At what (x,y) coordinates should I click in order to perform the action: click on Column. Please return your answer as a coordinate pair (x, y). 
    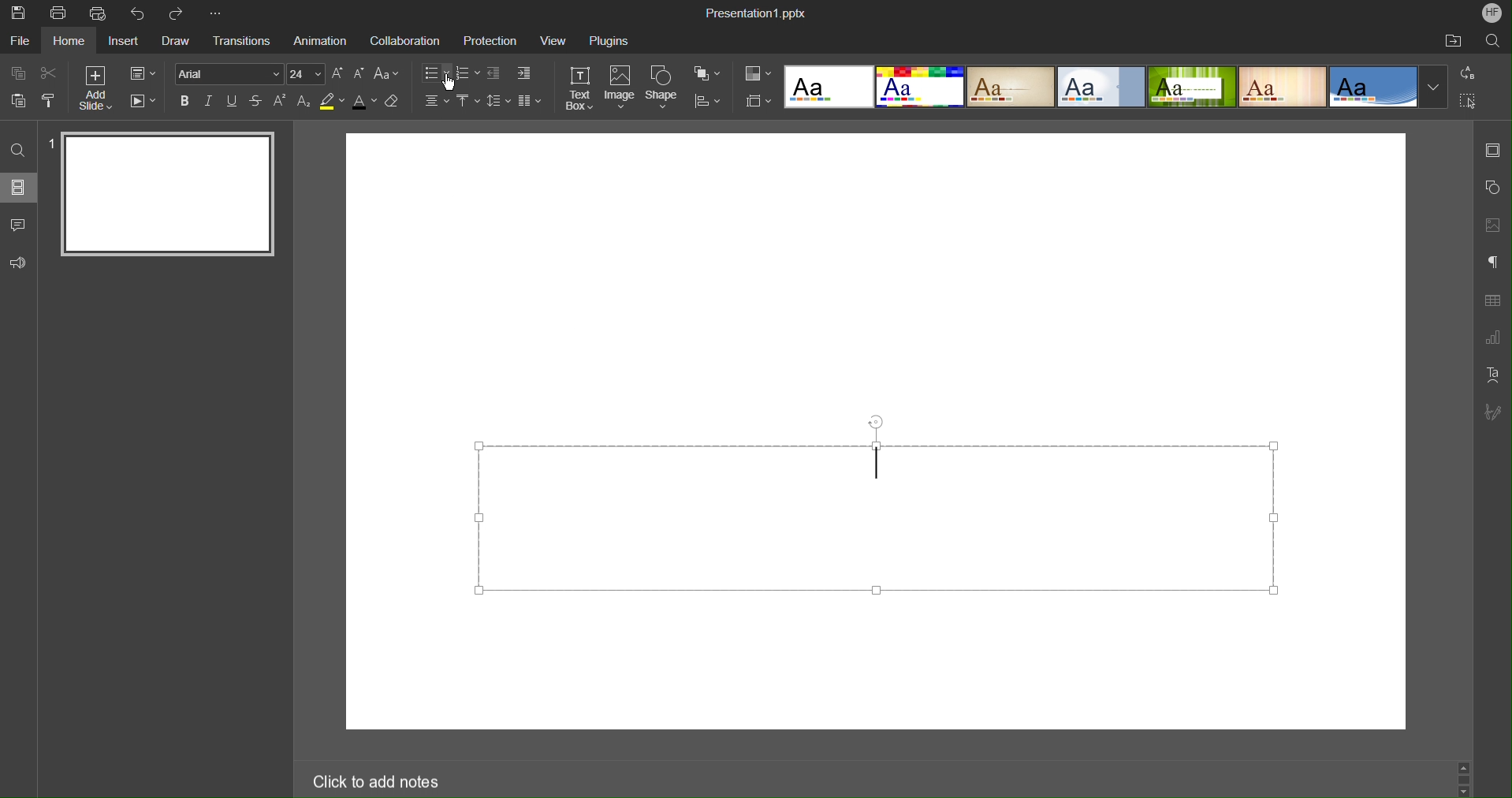
    Looking at the image, I should click on (530, 102).